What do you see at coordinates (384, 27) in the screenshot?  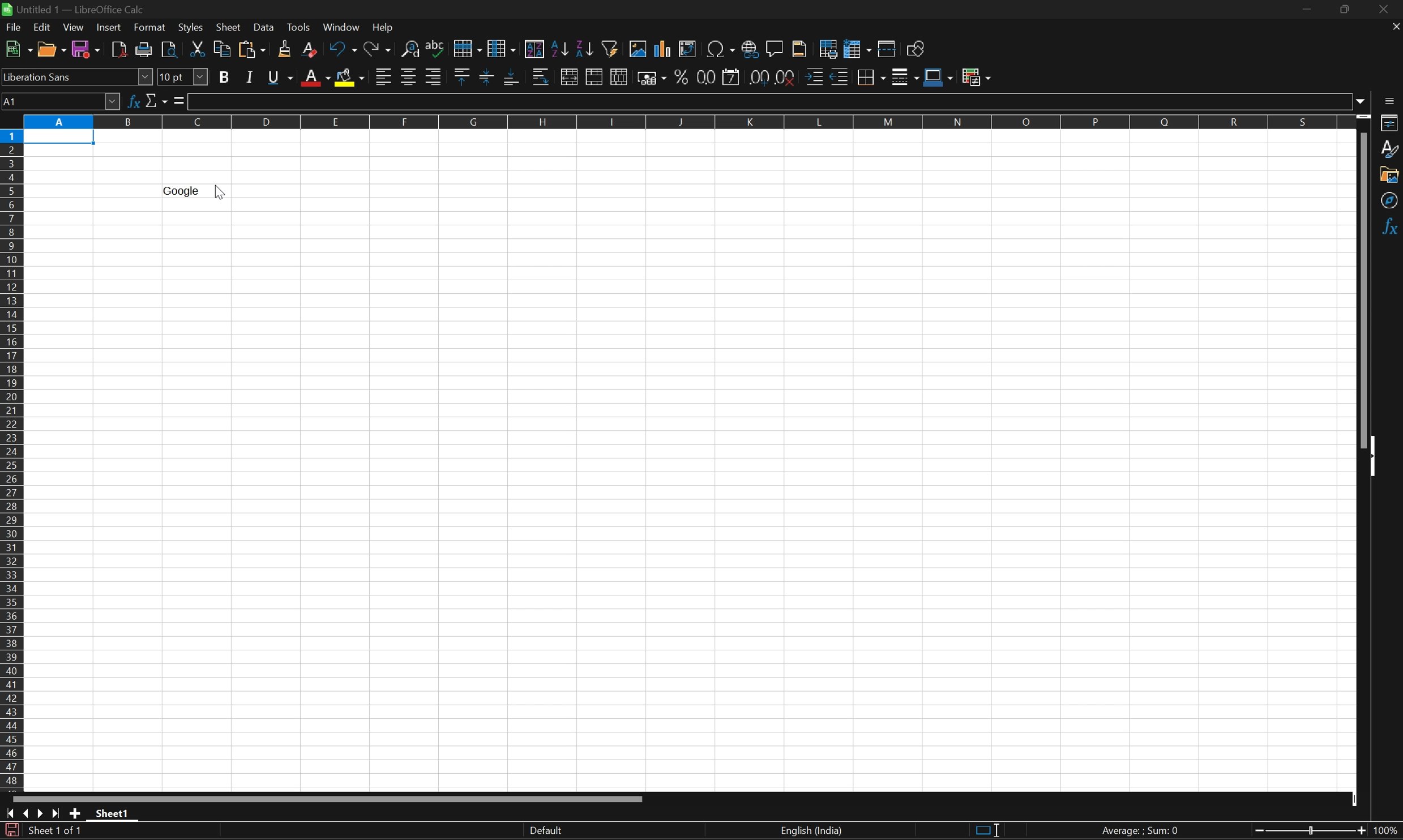 I see `Help` at bounding box center [384, 27].